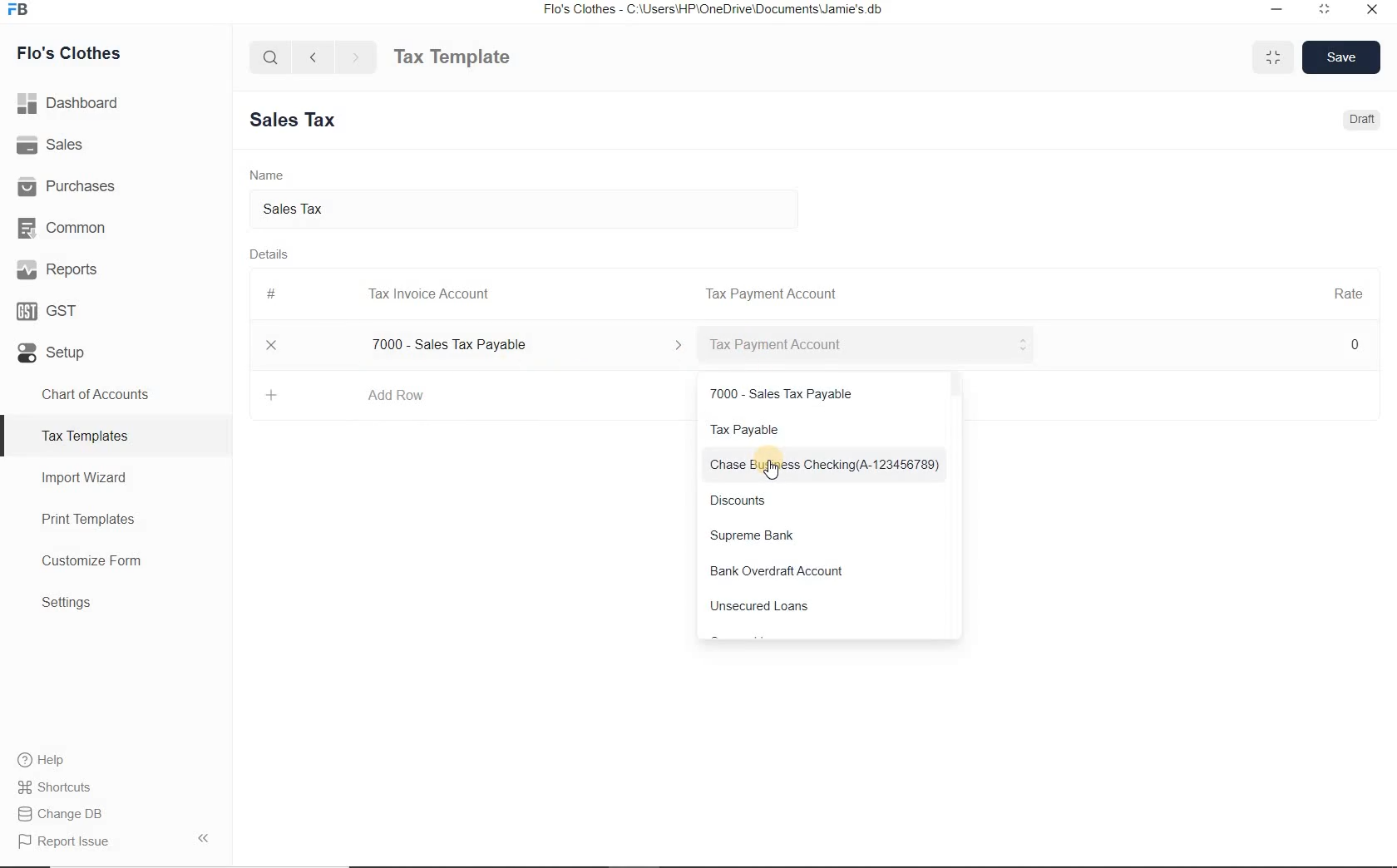  What do you see at coordinates (1273, 57) in the screenshot?
I see `Maximize` at bounding box center [1273, 57].